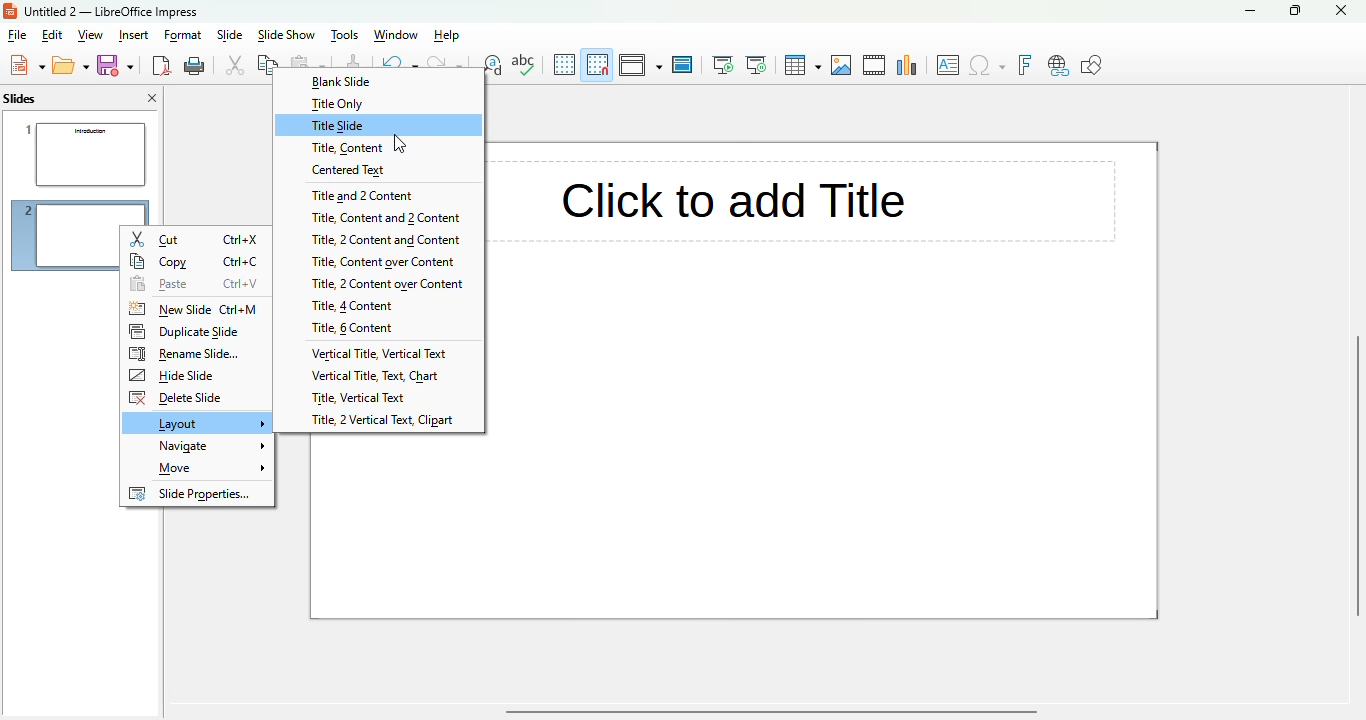 This screenshot has height=720, width=1366. Describe the element at coordinates (196, 493) in the screenshot. I see `slide properties` at that location.